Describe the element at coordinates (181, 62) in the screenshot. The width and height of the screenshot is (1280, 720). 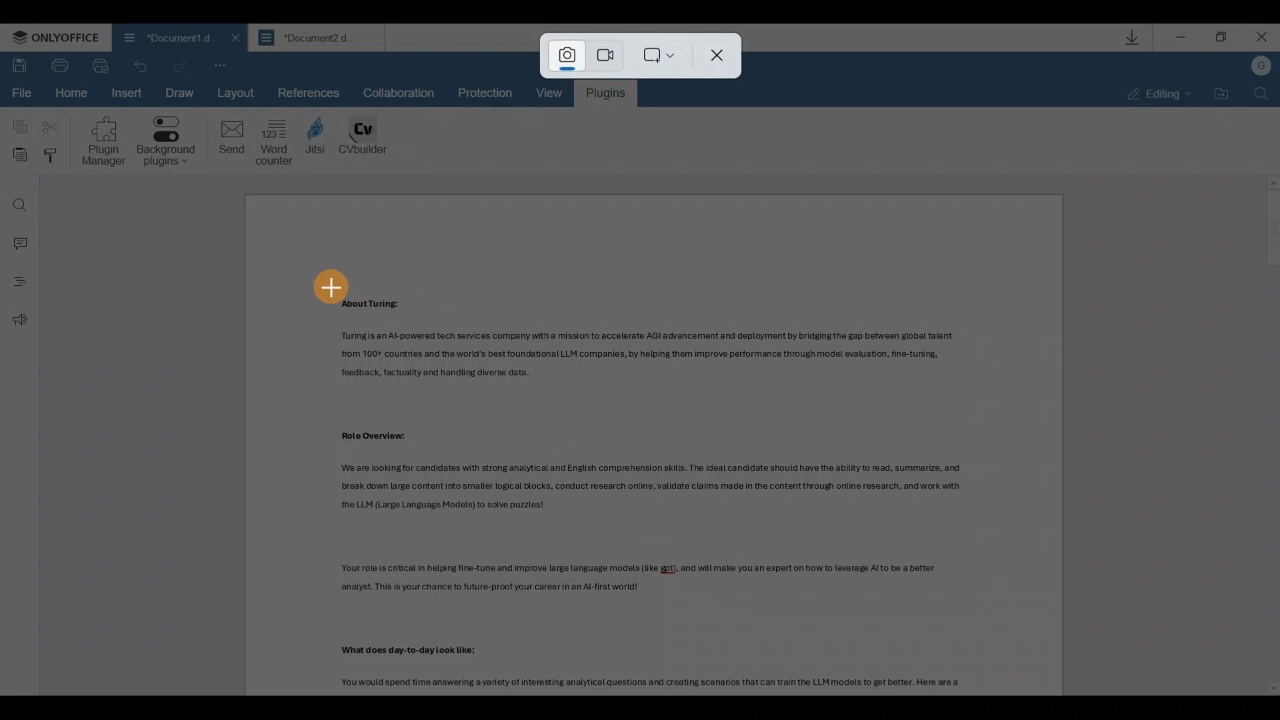
I see `Undo` at that location.